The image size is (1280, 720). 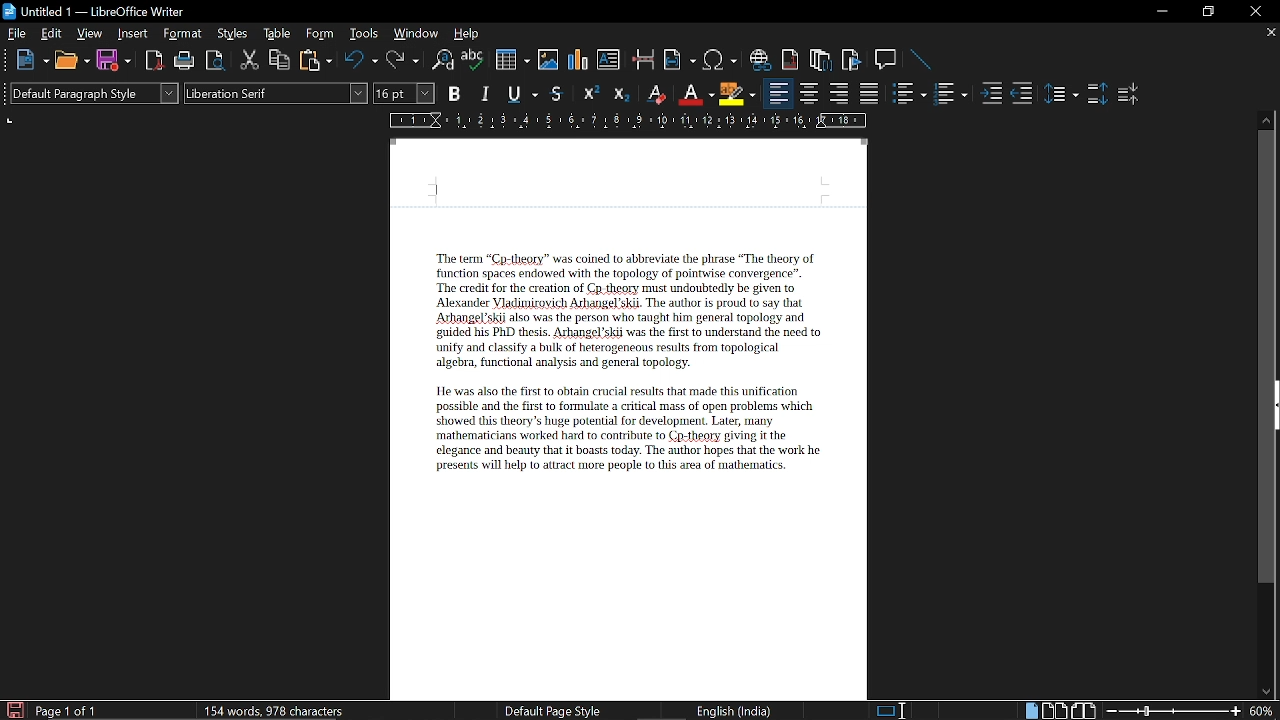 I want to click on Erase, so click(x=654, y=93).